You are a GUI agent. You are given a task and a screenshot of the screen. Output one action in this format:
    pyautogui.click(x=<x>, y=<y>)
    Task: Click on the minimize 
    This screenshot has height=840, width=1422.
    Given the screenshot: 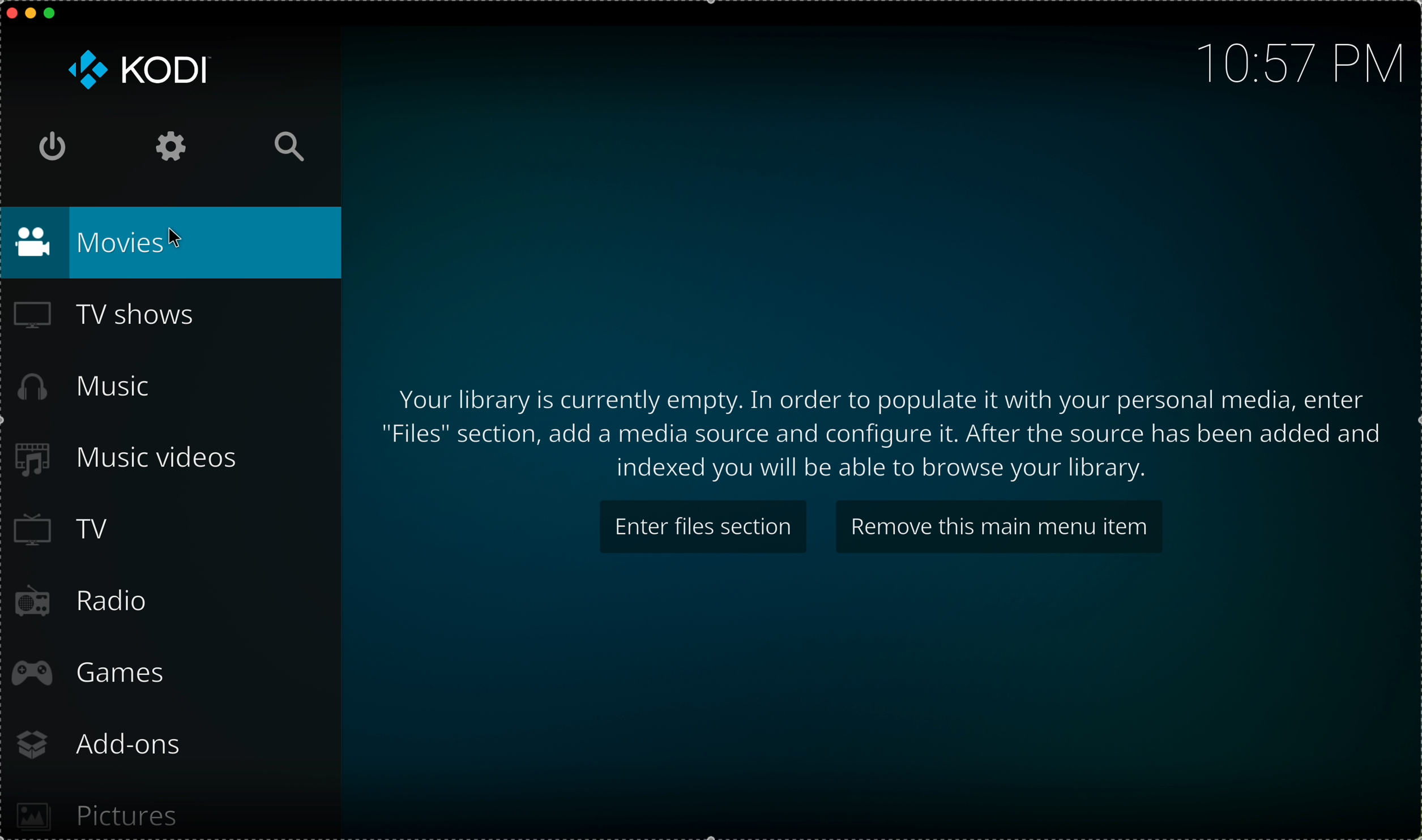 What is the action you would take?
    pyautogui.click(x=31, y=16)
    